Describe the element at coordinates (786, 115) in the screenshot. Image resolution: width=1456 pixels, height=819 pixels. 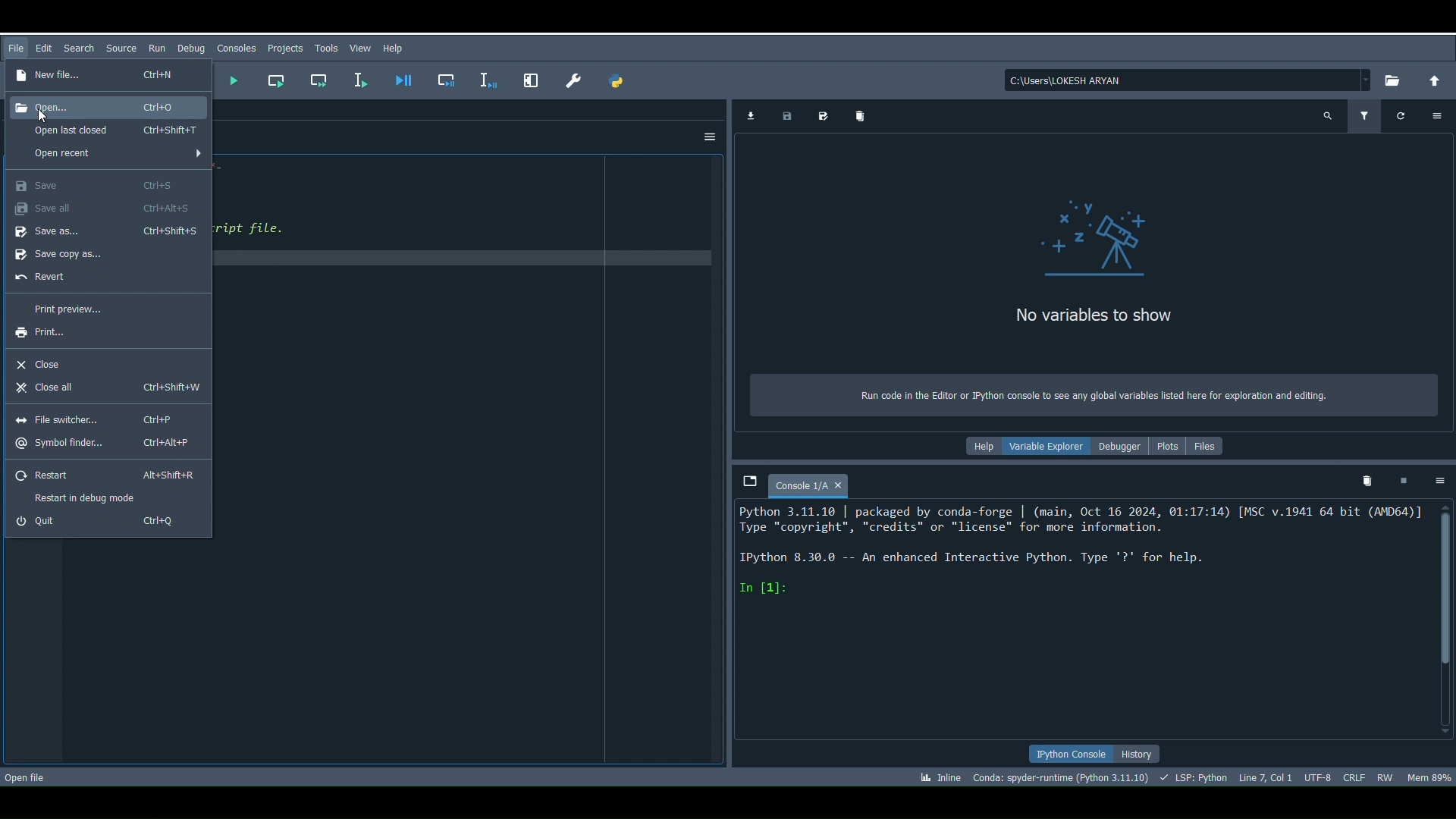
I see `Save data` at that location.